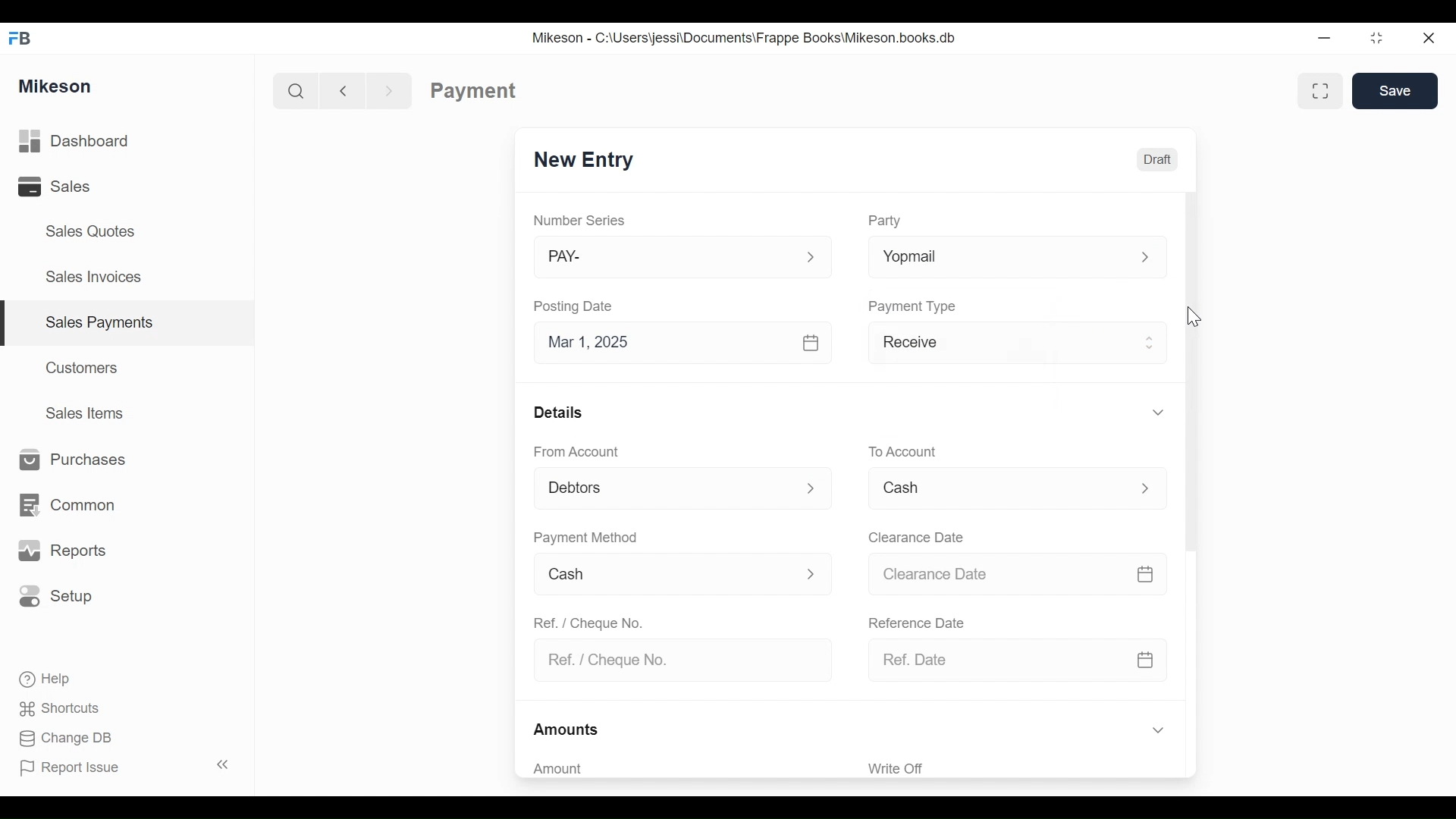 The width and height of the screenshot is (1456, 819). I want to click on New Entry, so click(583, 158).